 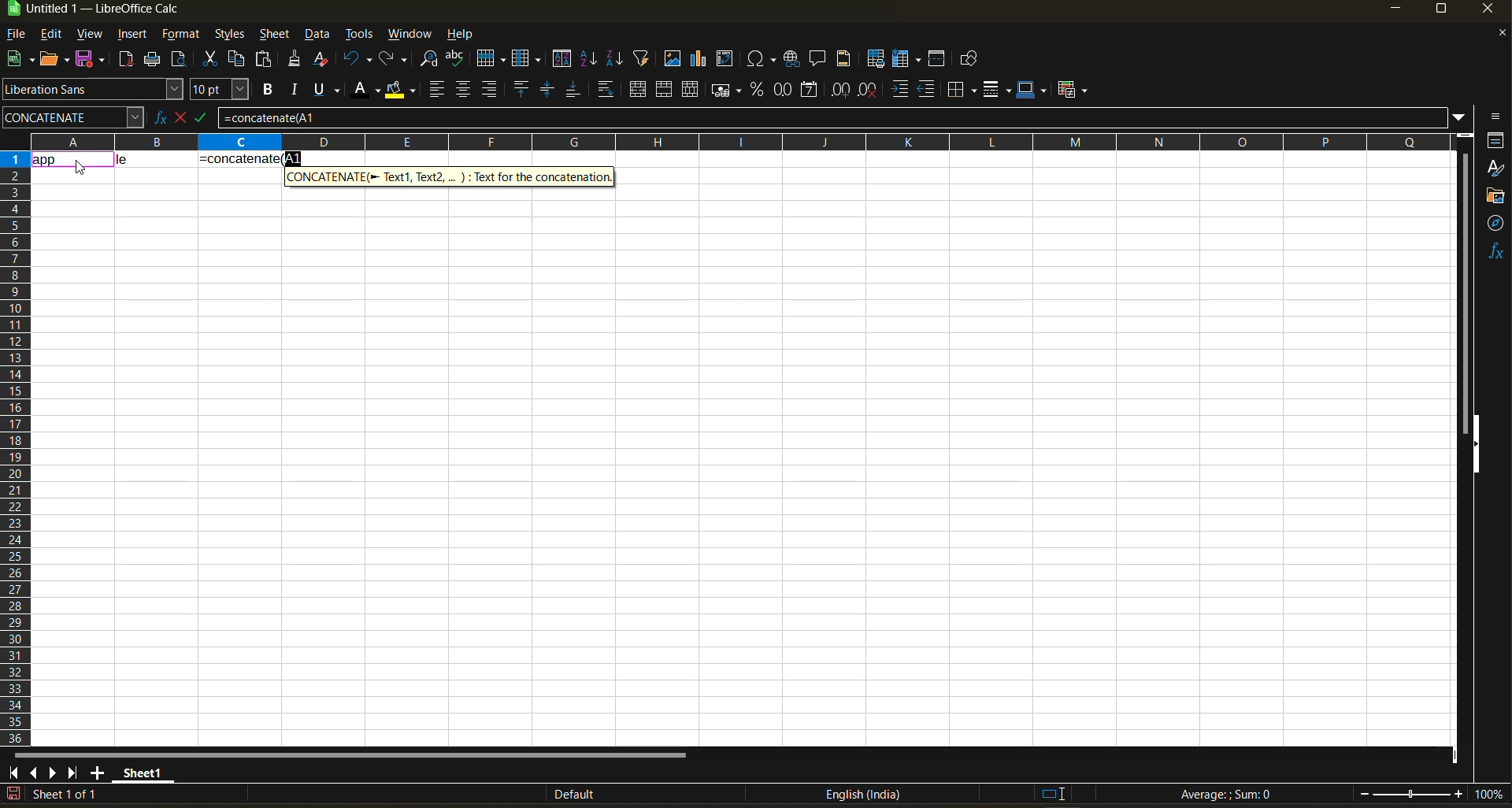 What do you see at coordinates (666, 92) in the screenshot?
I see `merge cells` at bounding box center [666, 92].